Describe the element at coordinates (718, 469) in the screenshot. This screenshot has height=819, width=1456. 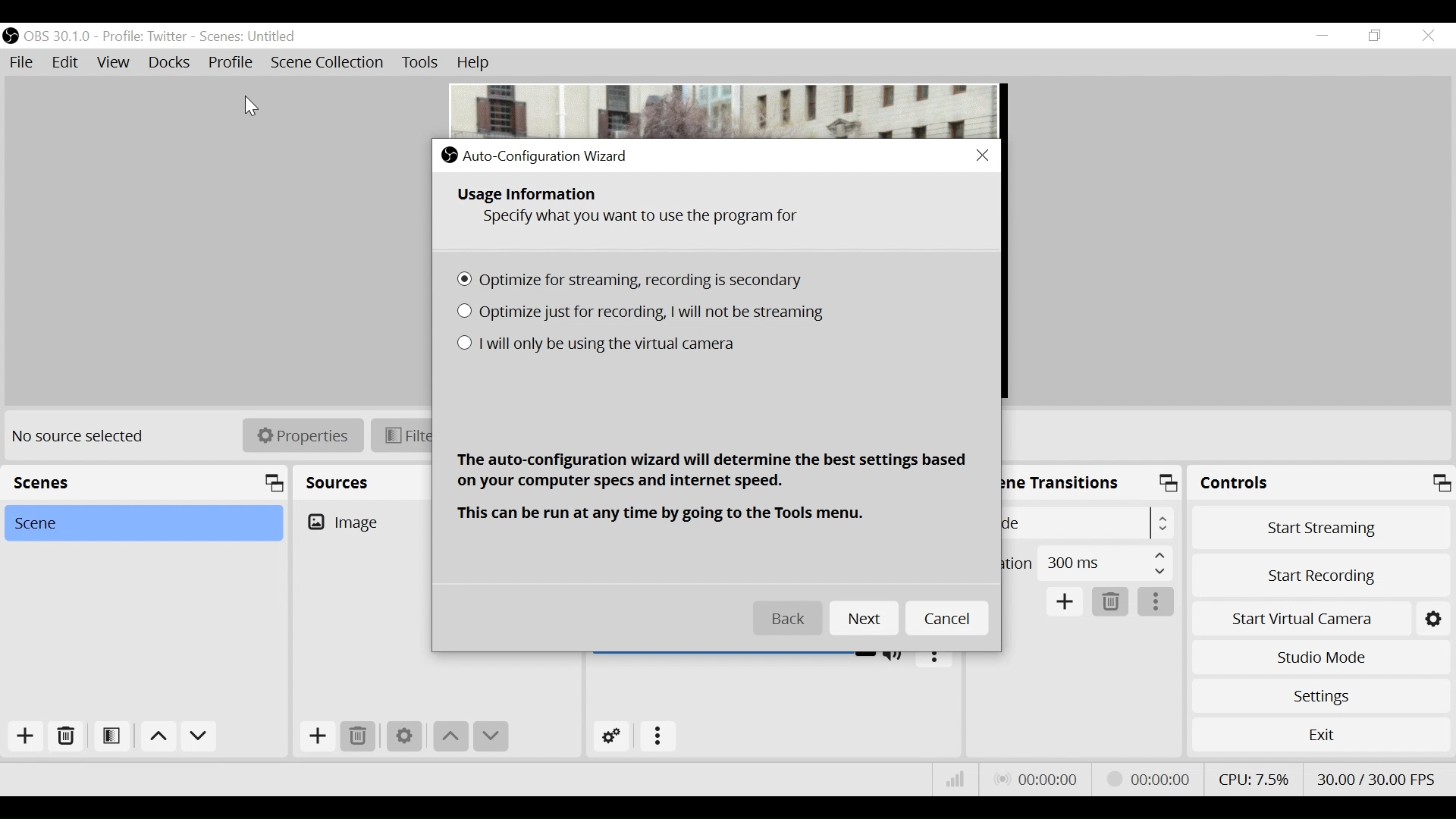
I see `The auto-configuration wizard will determine the best settings based on your computer specs and internet speed` at that location.